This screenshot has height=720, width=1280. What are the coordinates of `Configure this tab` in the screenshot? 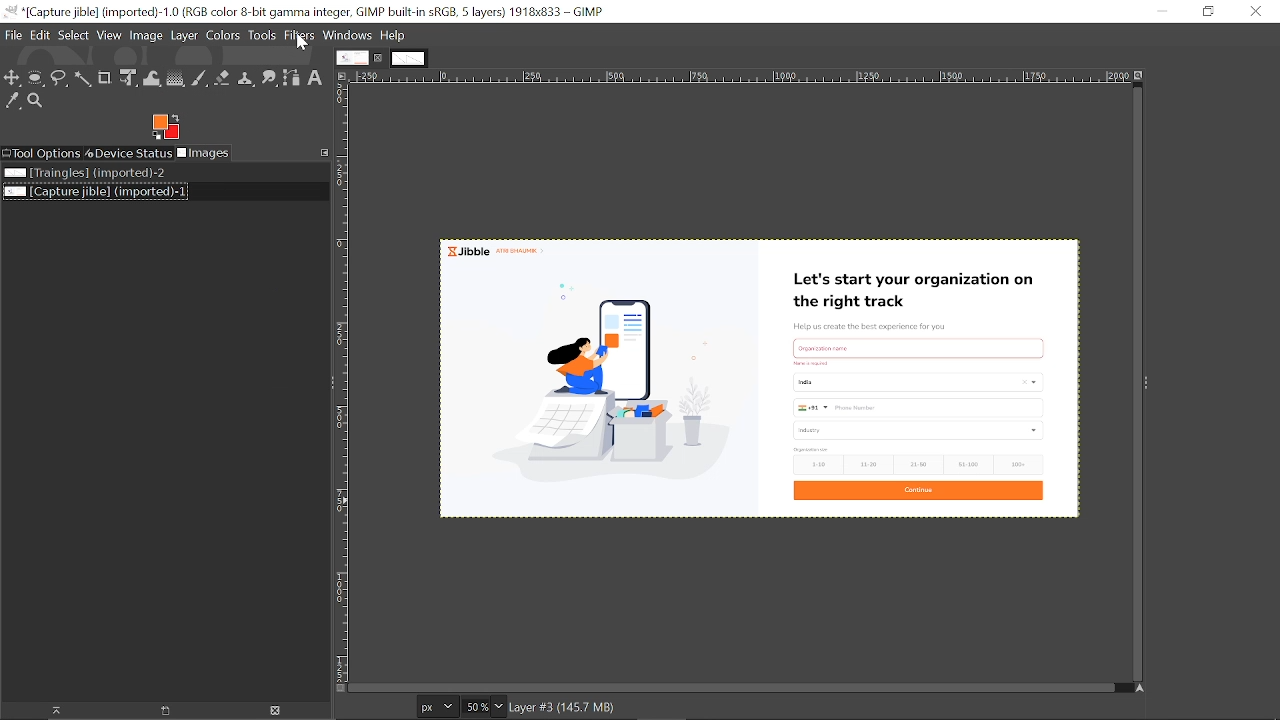 It's located at (340, 76).